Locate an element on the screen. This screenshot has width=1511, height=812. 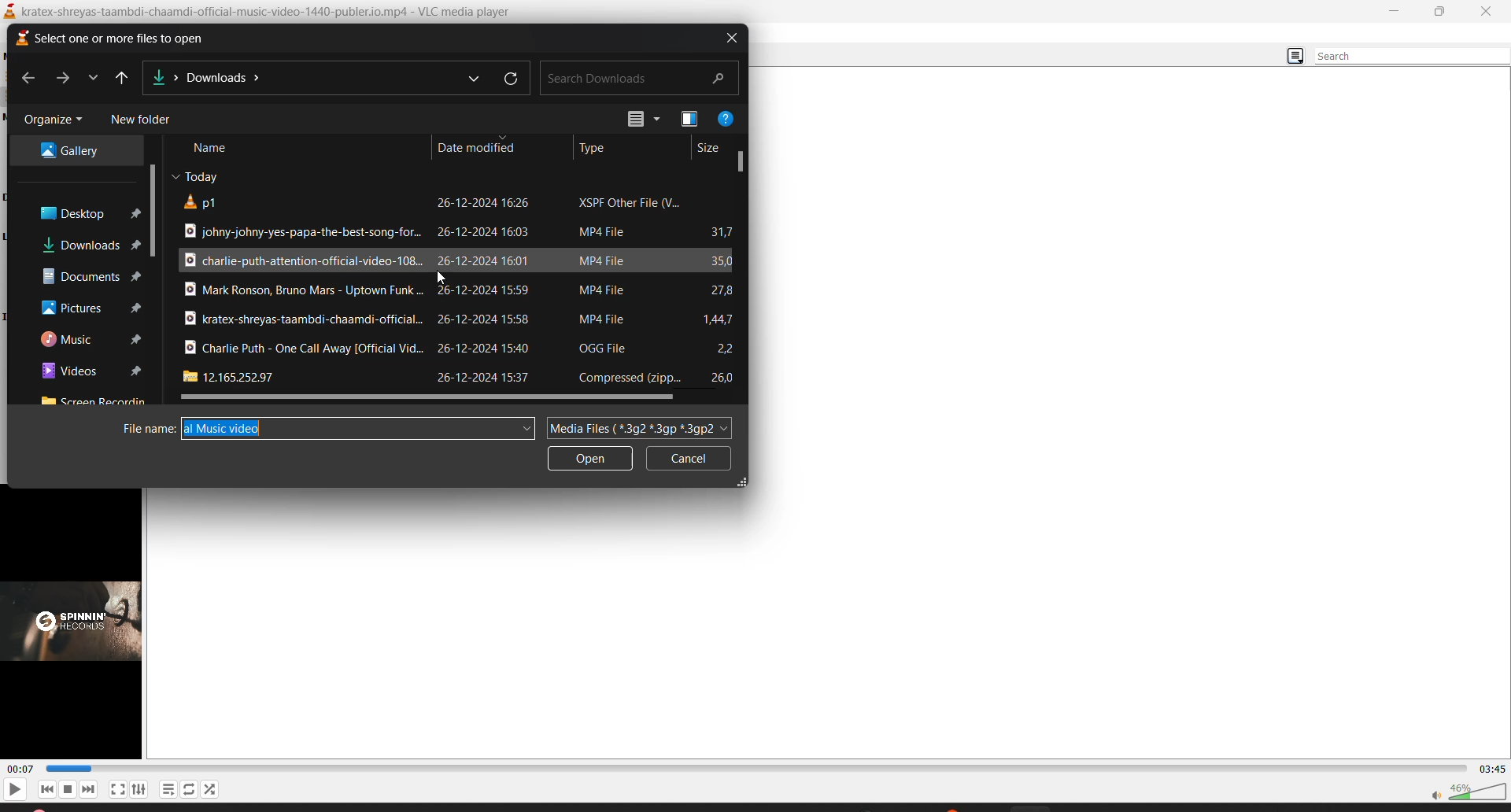
downloads is located at coordinates (88, 247).